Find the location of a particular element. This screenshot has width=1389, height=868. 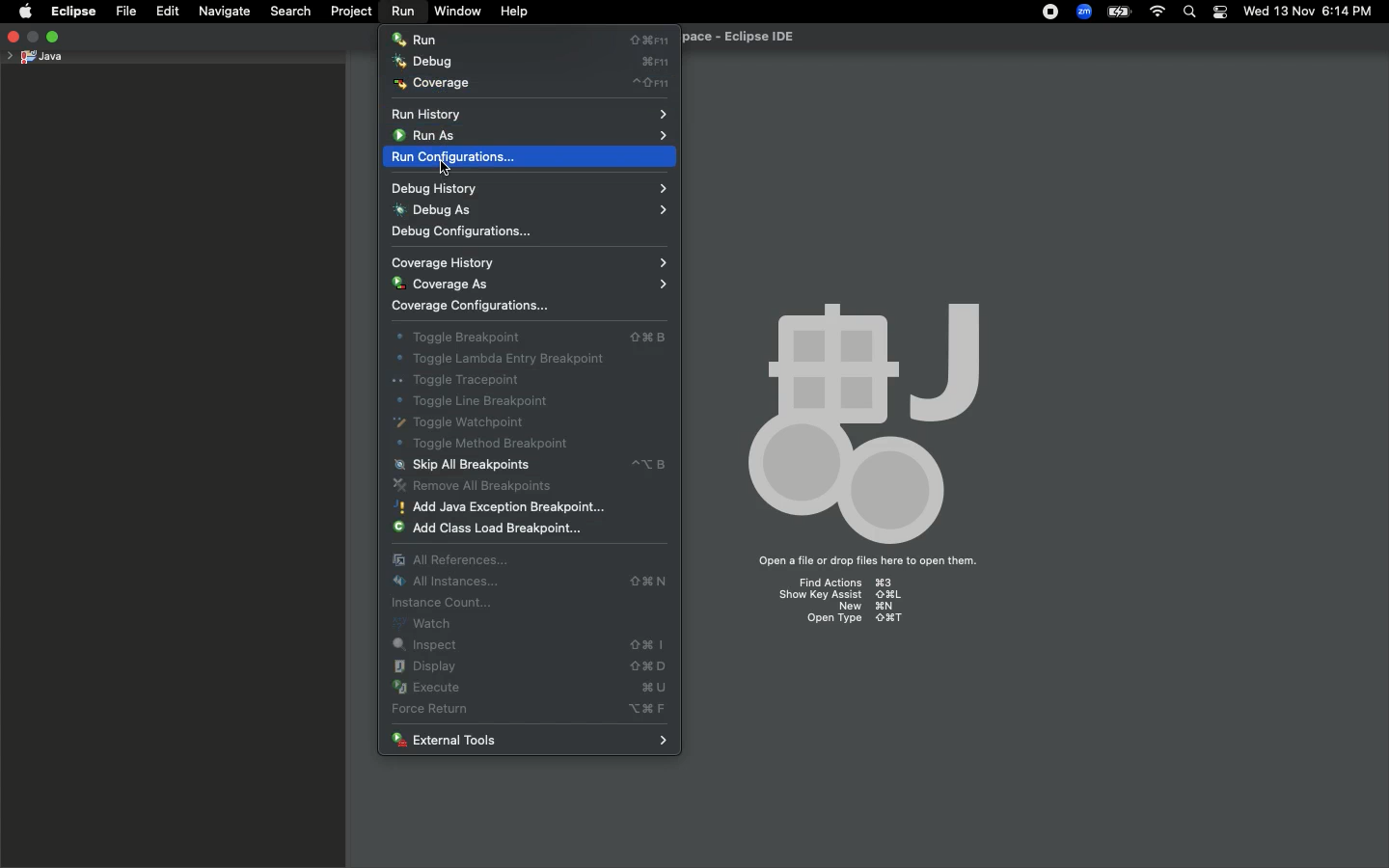

Add class load breakpoint is located at coordinates (485, 530).